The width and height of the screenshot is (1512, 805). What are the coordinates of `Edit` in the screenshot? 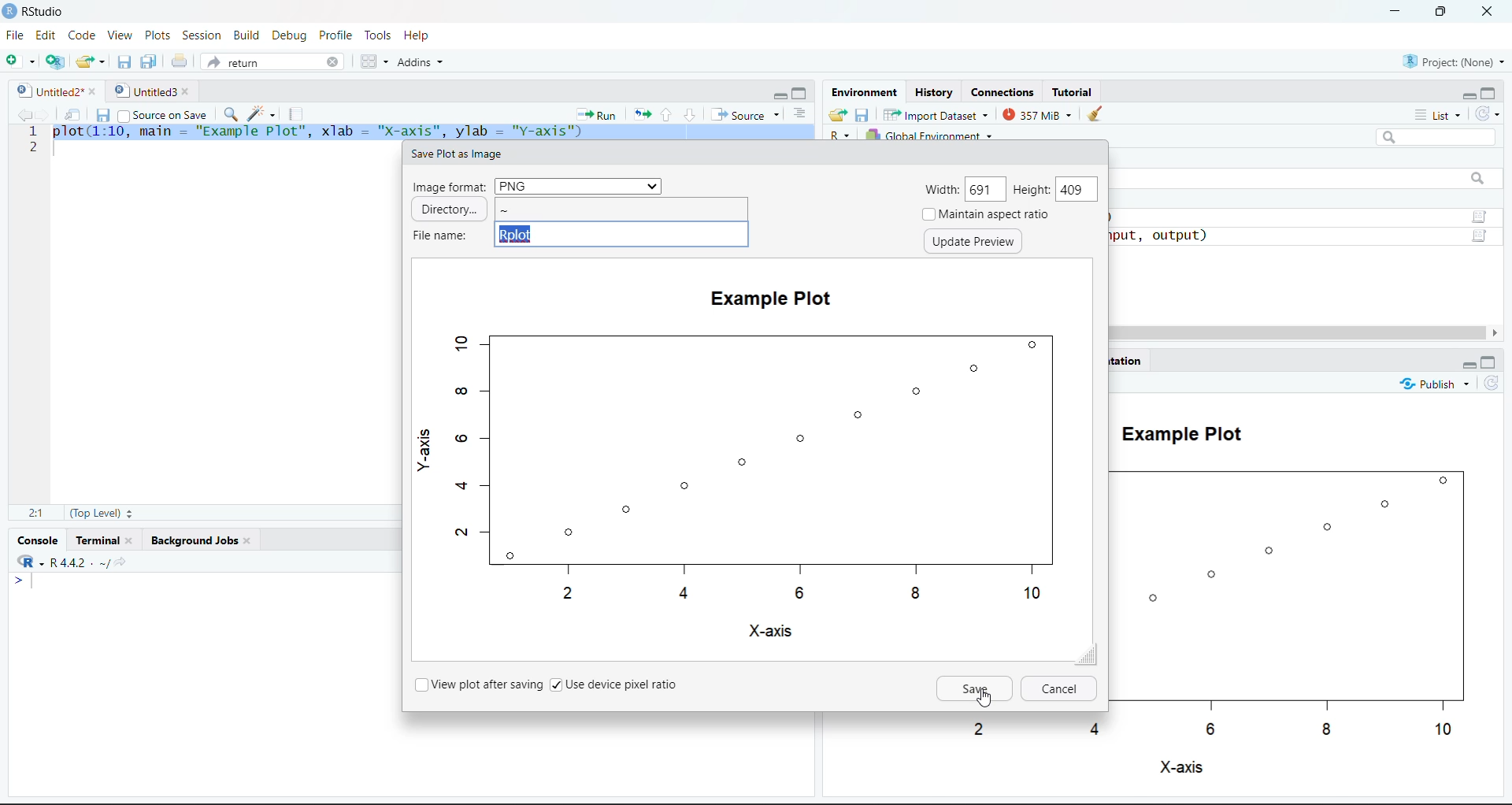 It's located at (46, 35).